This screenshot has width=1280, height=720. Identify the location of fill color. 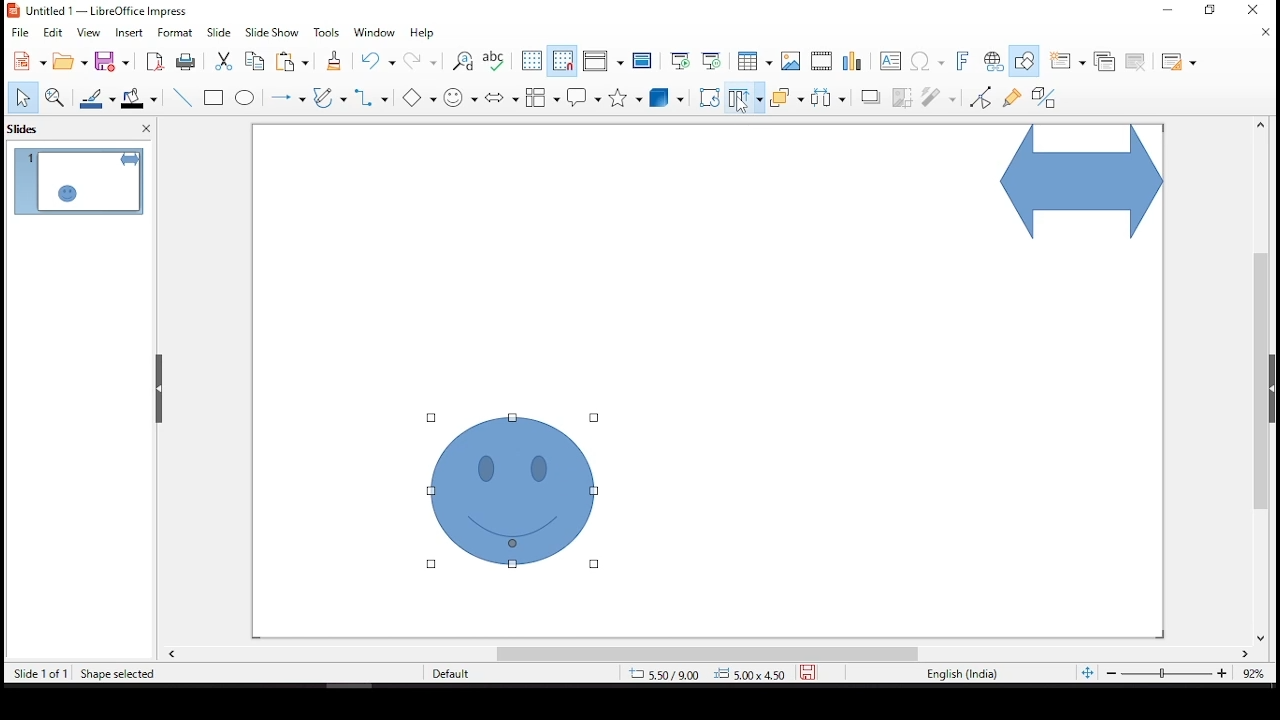
(143, 98).